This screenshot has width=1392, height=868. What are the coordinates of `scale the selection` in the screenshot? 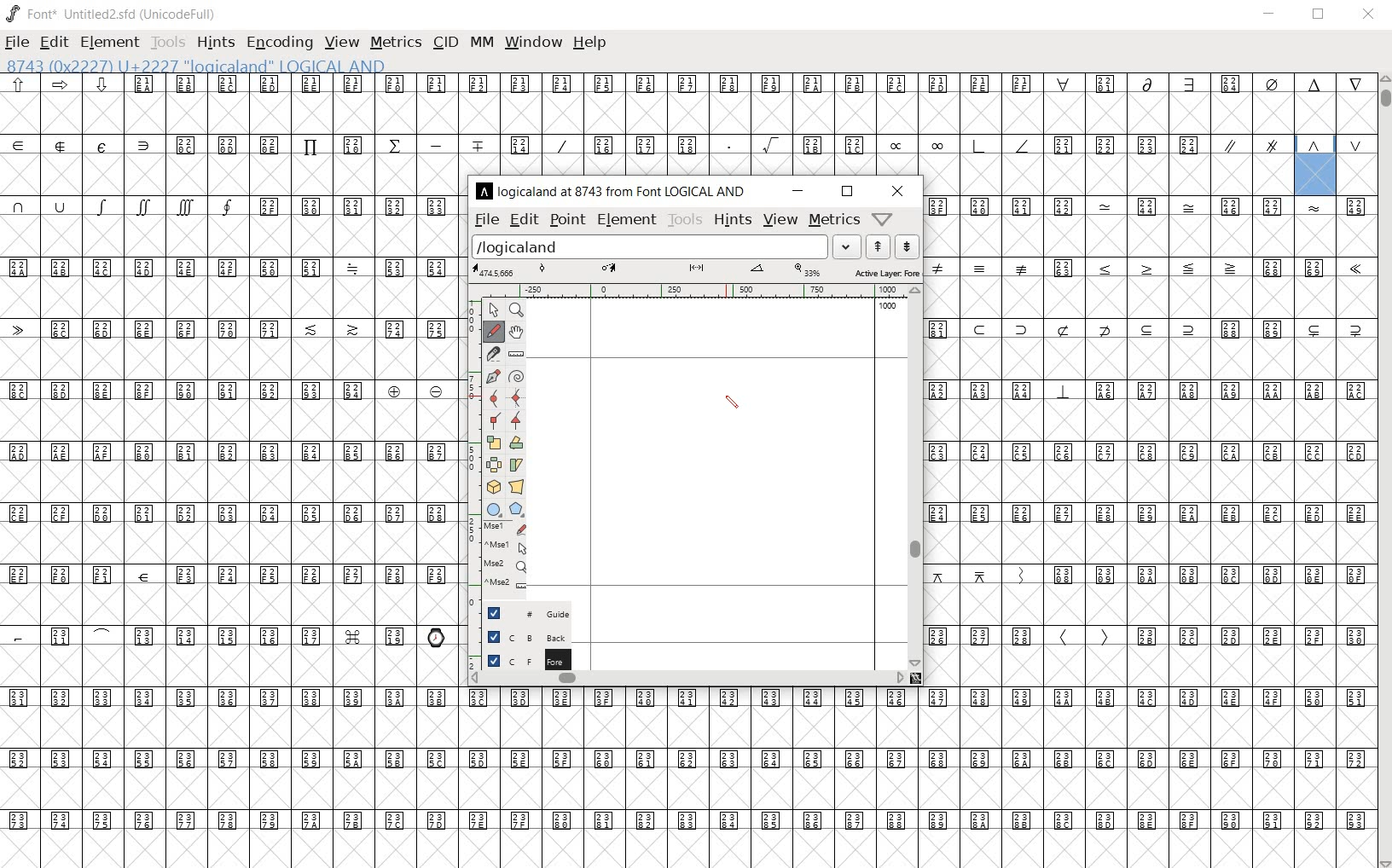 It's located at (495, 443).